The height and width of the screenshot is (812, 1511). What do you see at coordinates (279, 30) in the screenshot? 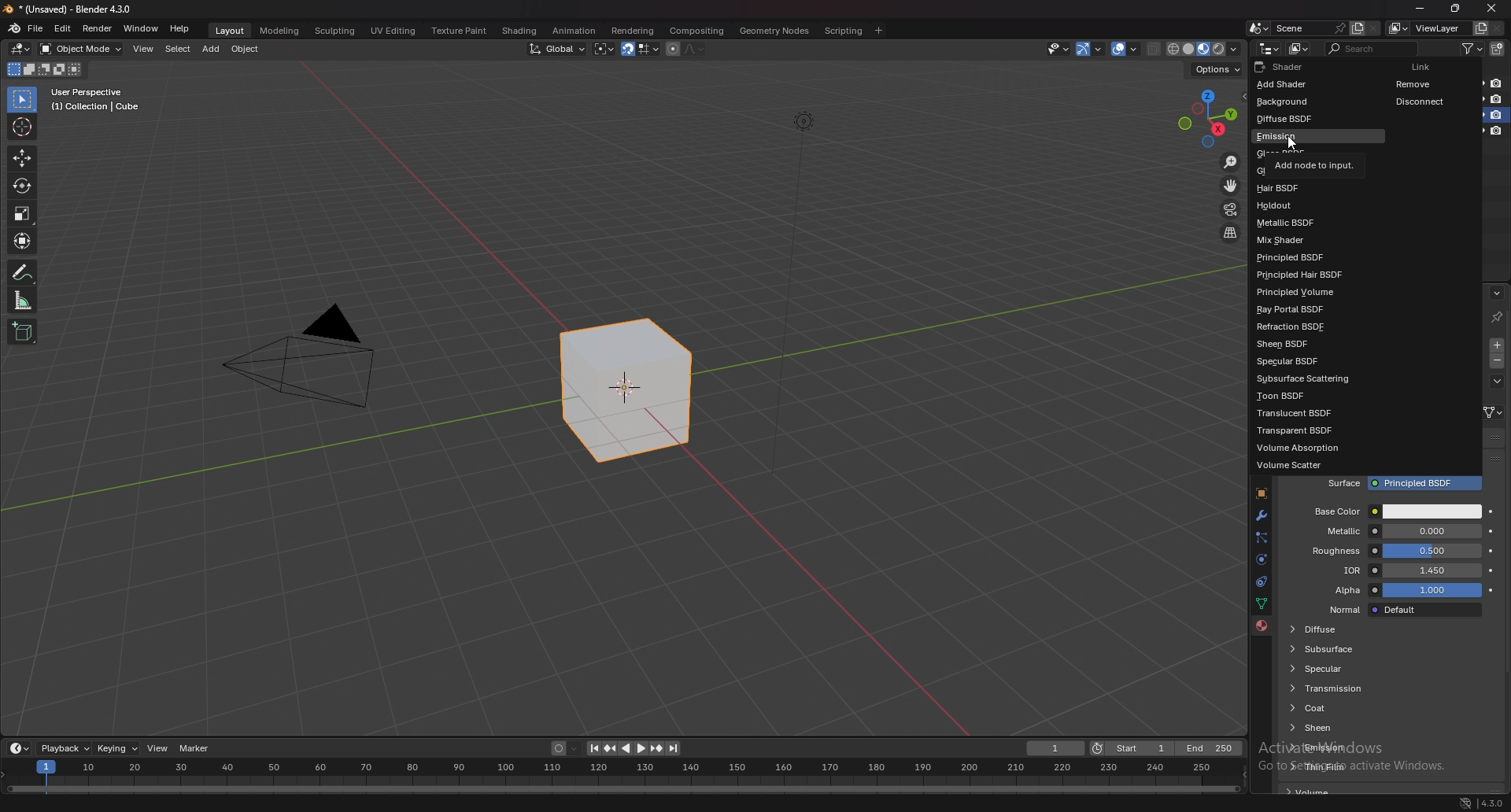
I see `modeling` at bounding box center [279, 30].